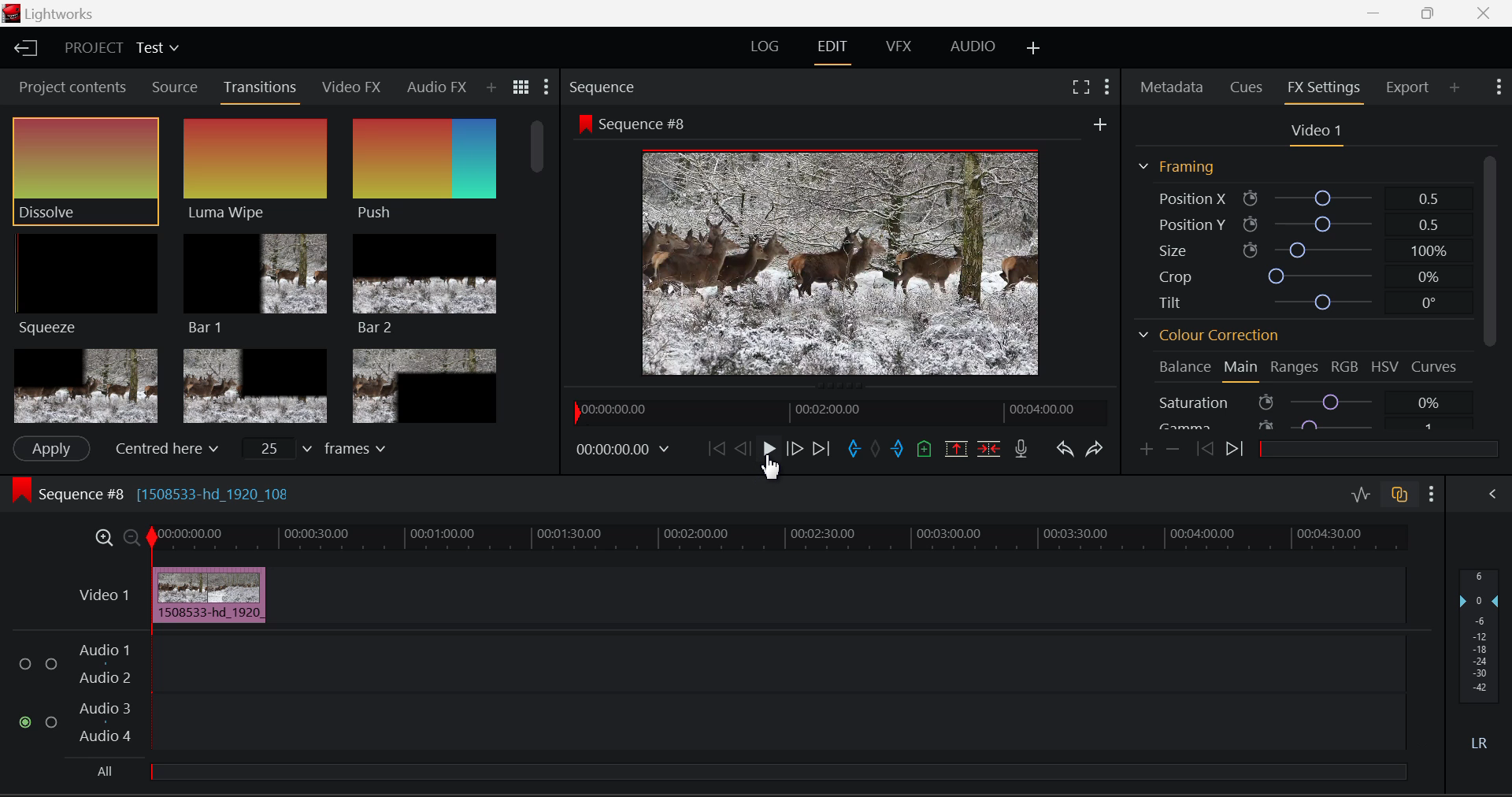 The width and height of the screenshot is (1512, 797). Describe the element at coordinates (958, 448) in the screenshot. I see `Remove Marked Section` at that location.